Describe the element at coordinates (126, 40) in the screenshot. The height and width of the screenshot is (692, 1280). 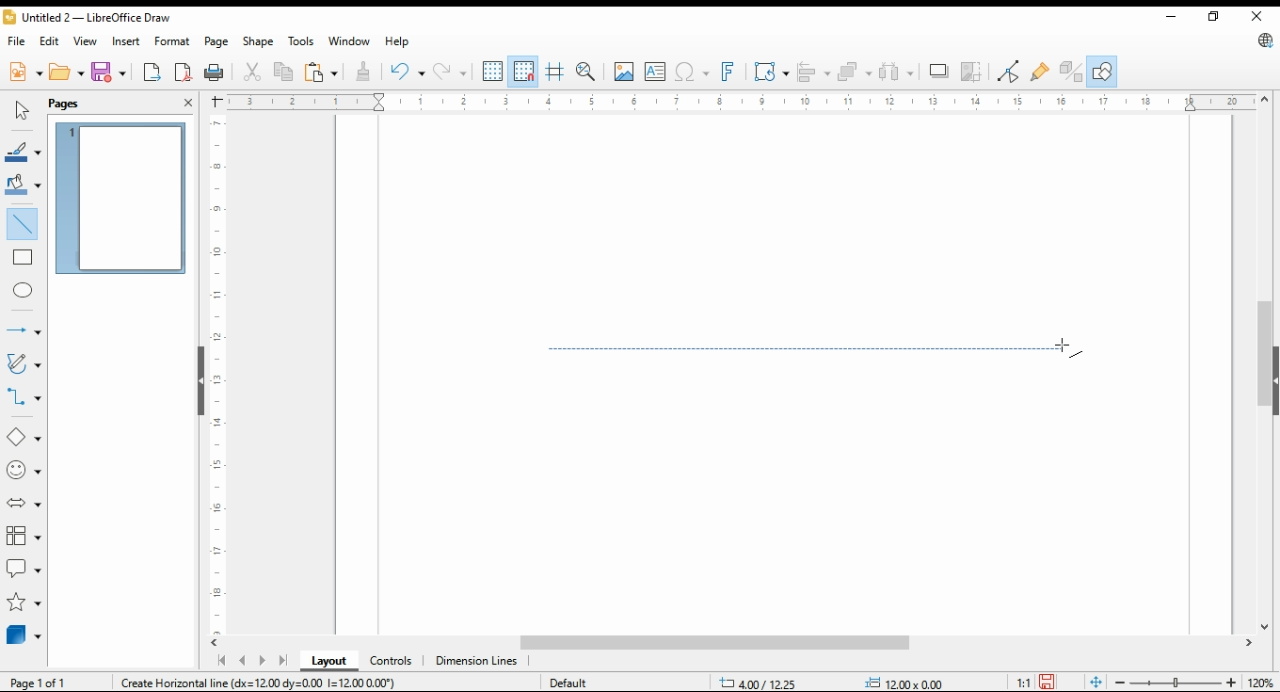
I see `insert` at that location.